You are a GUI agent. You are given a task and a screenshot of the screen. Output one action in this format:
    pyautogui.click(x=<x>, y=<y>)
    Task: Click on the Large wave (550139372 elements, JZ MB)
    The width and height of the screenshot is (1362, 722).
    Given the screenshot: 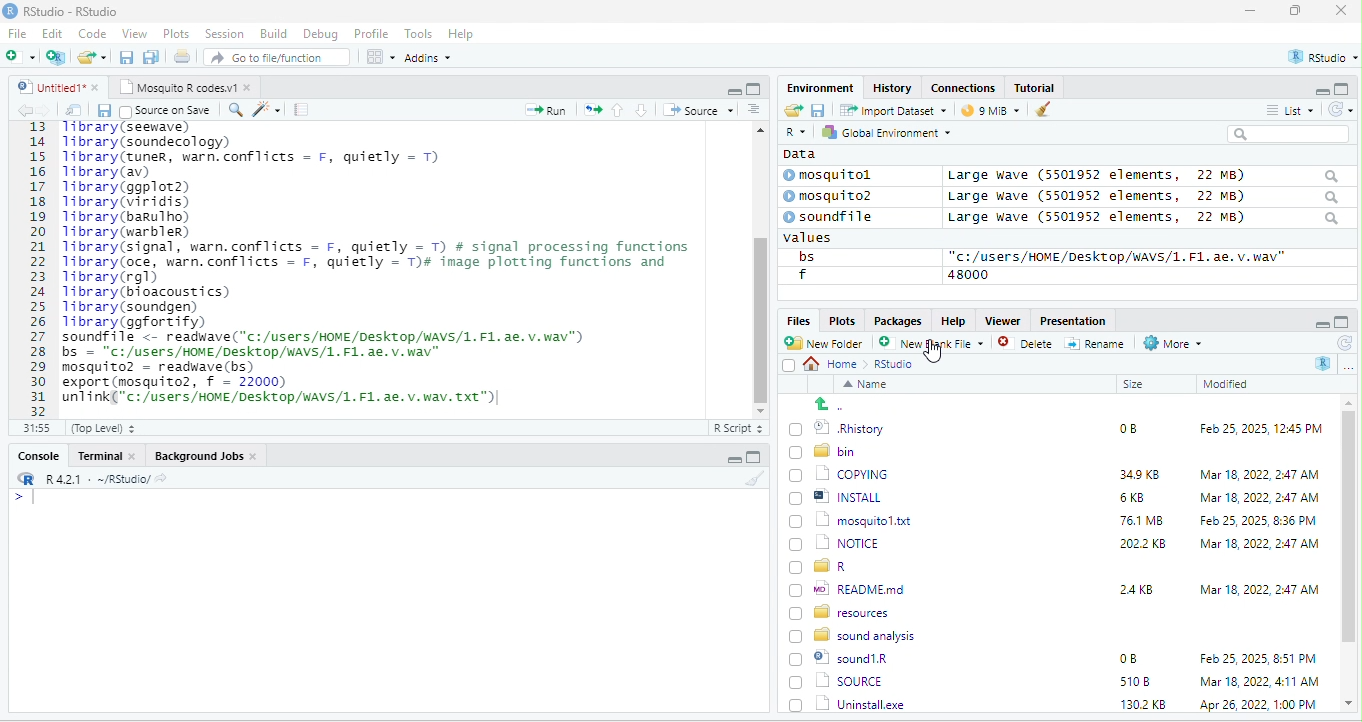 What is the action you would take?
    pyautogui.click(x=1145, y=196)
    